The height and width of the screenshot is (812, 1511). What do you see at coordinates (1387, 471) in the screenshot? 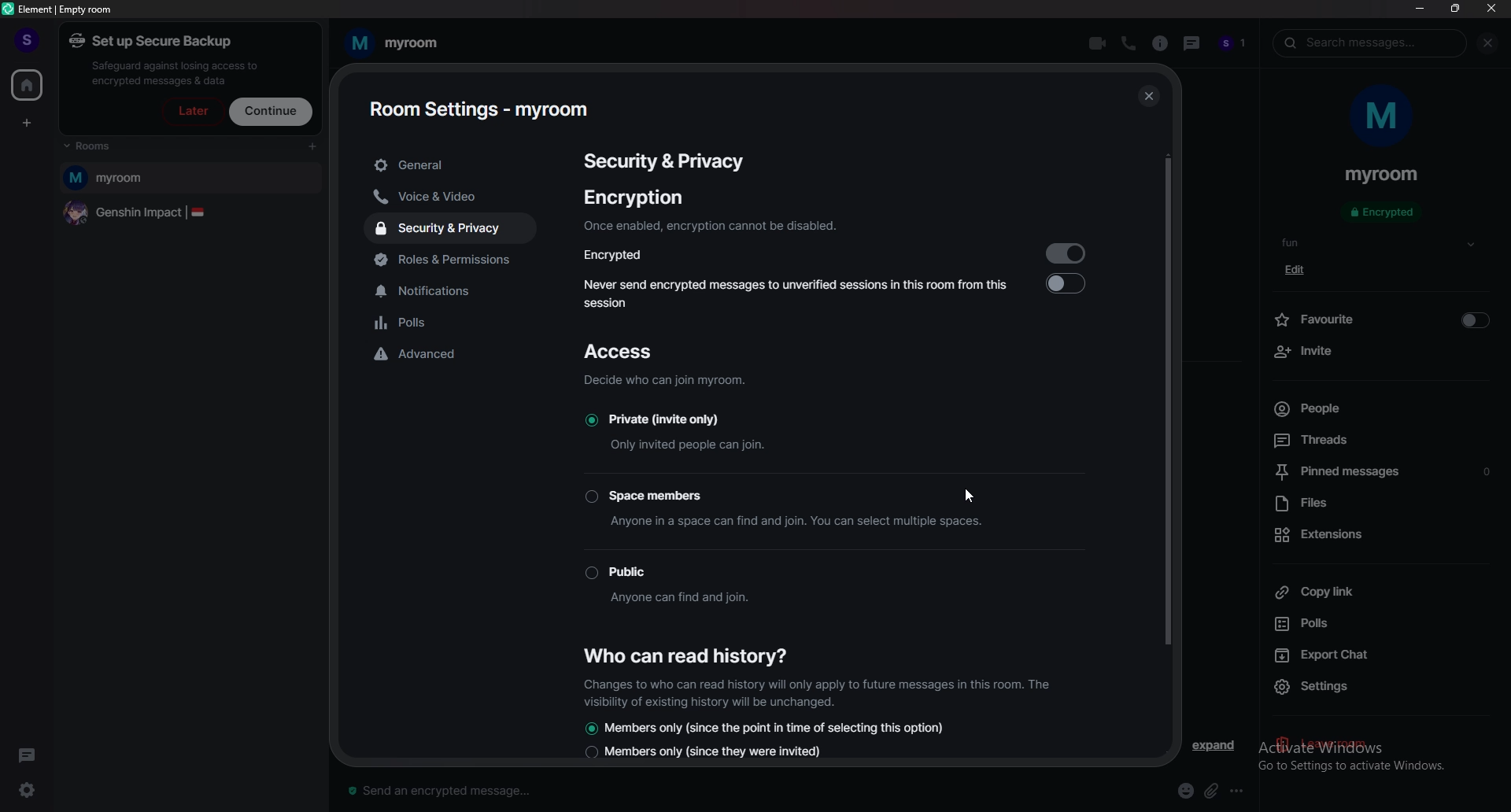
I see `pinned messages` at bounding box center [1387, 471].